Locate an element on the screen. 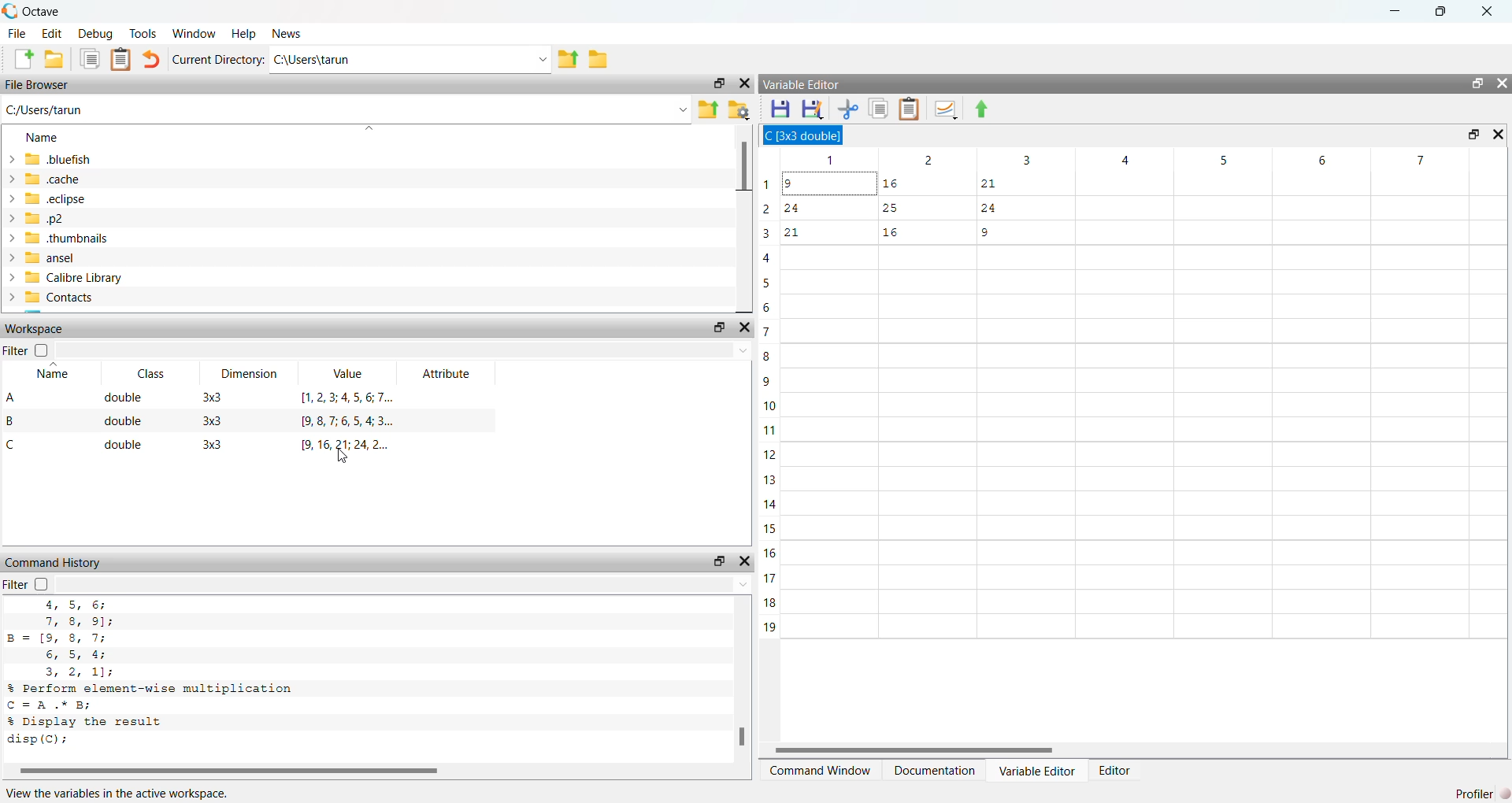 This screenshot has height=803, width=1512. Workspace is located at coordinates (35, 327).